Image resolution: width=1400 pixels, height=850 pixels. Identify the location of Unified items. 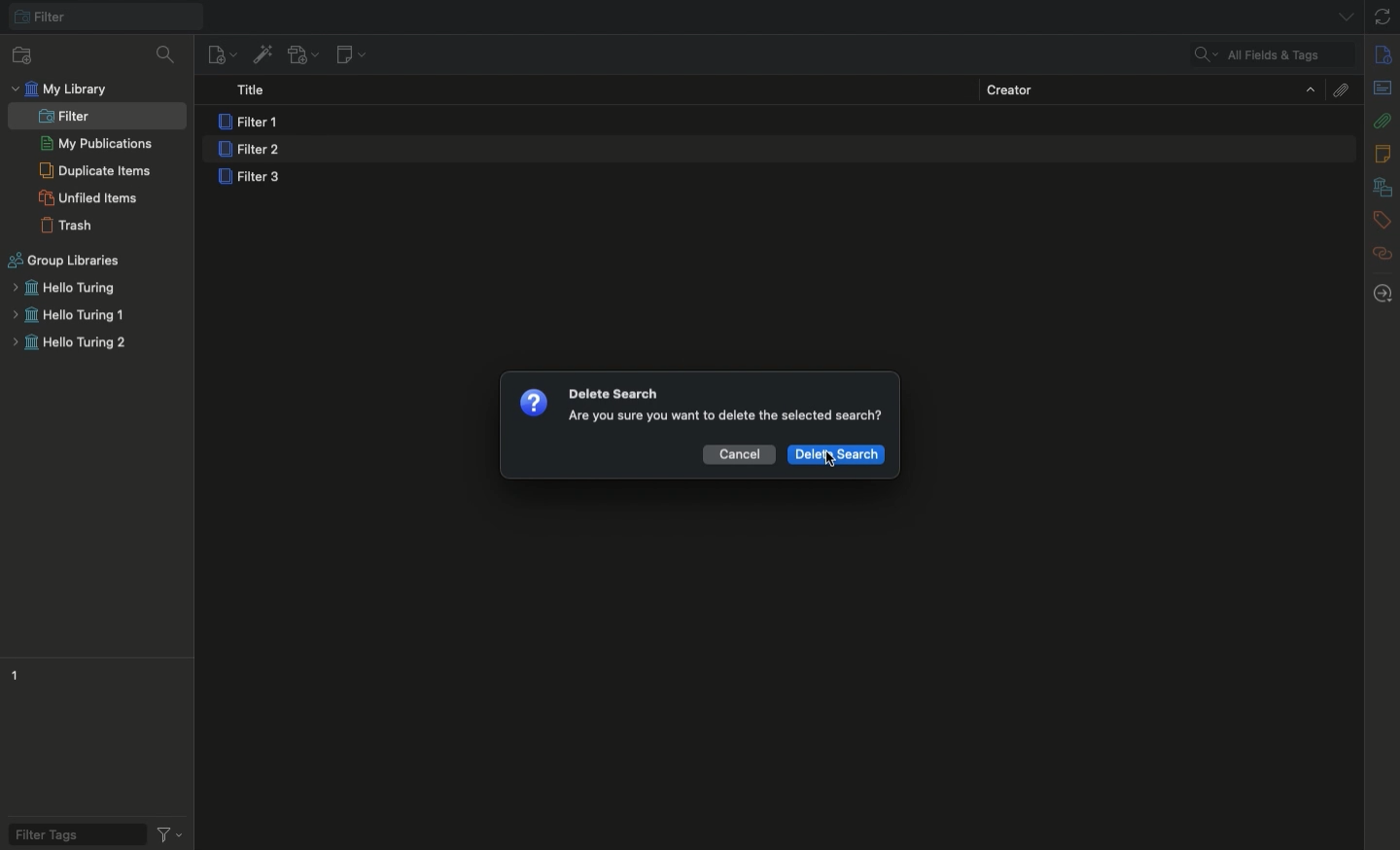
(91, 197).